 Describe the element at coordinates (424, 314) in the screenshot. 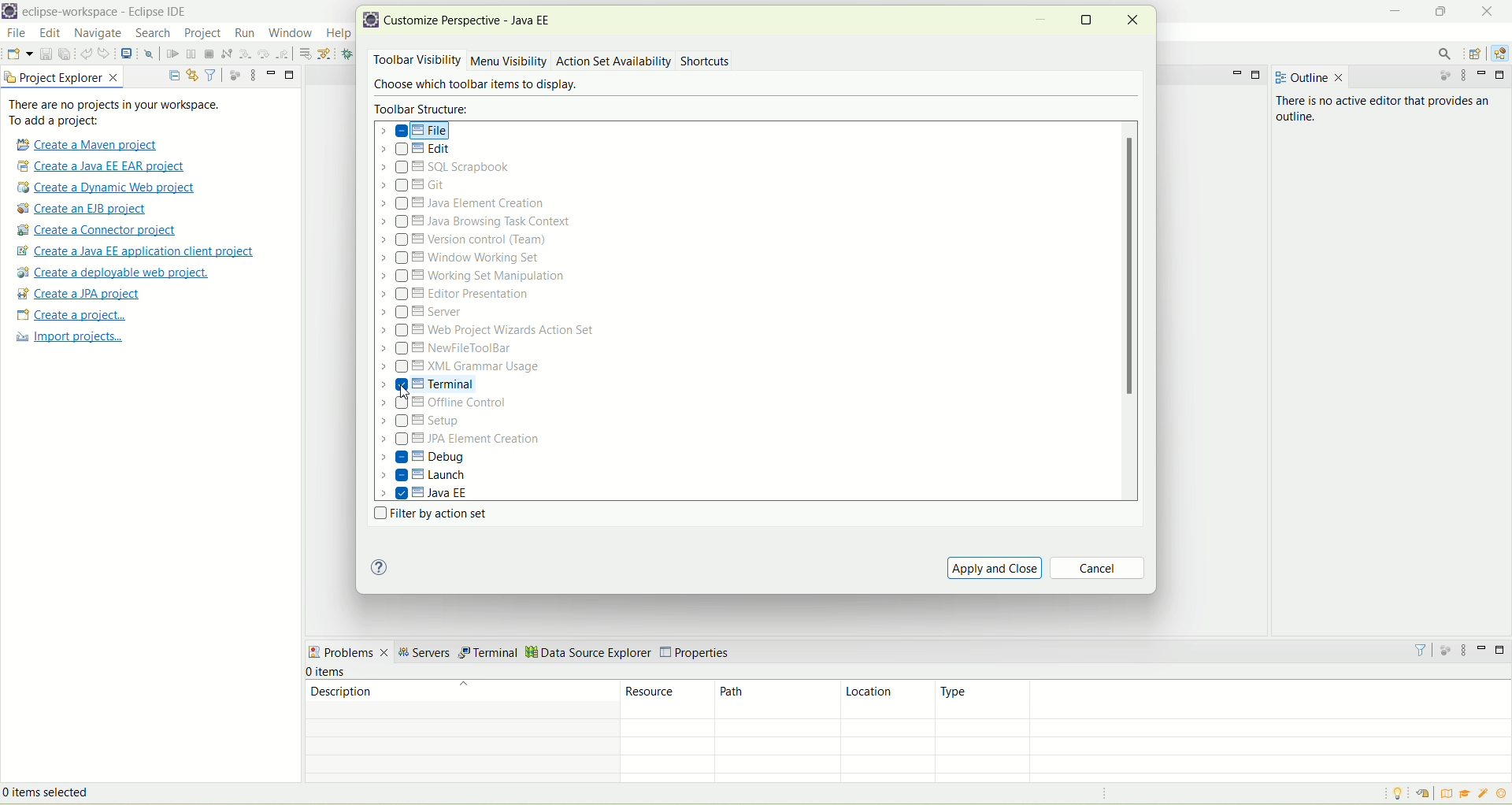

I see `server` at that location.